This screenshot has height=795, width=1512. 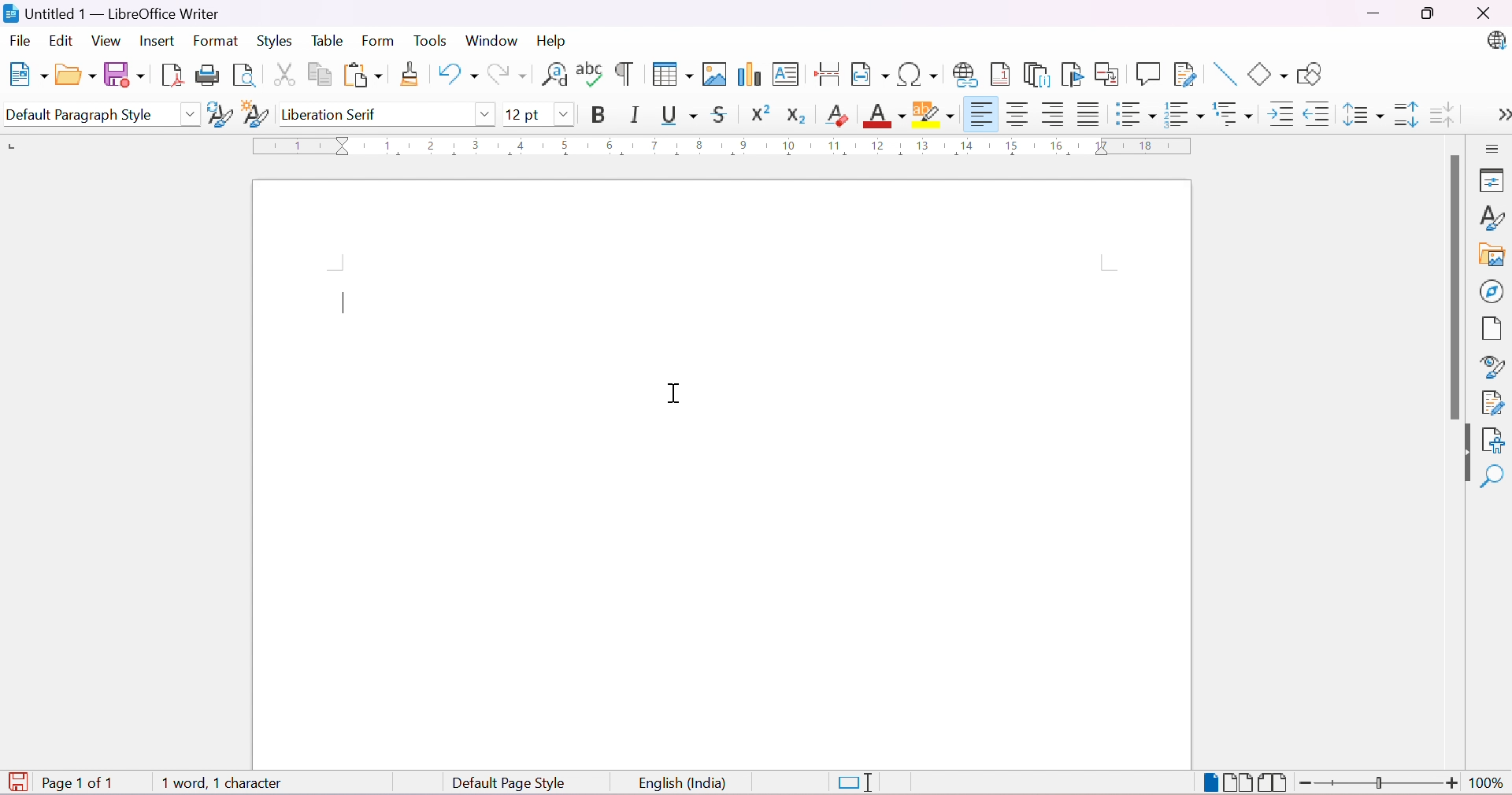 I want to click on Insert Table, so click(x=672, y=74).